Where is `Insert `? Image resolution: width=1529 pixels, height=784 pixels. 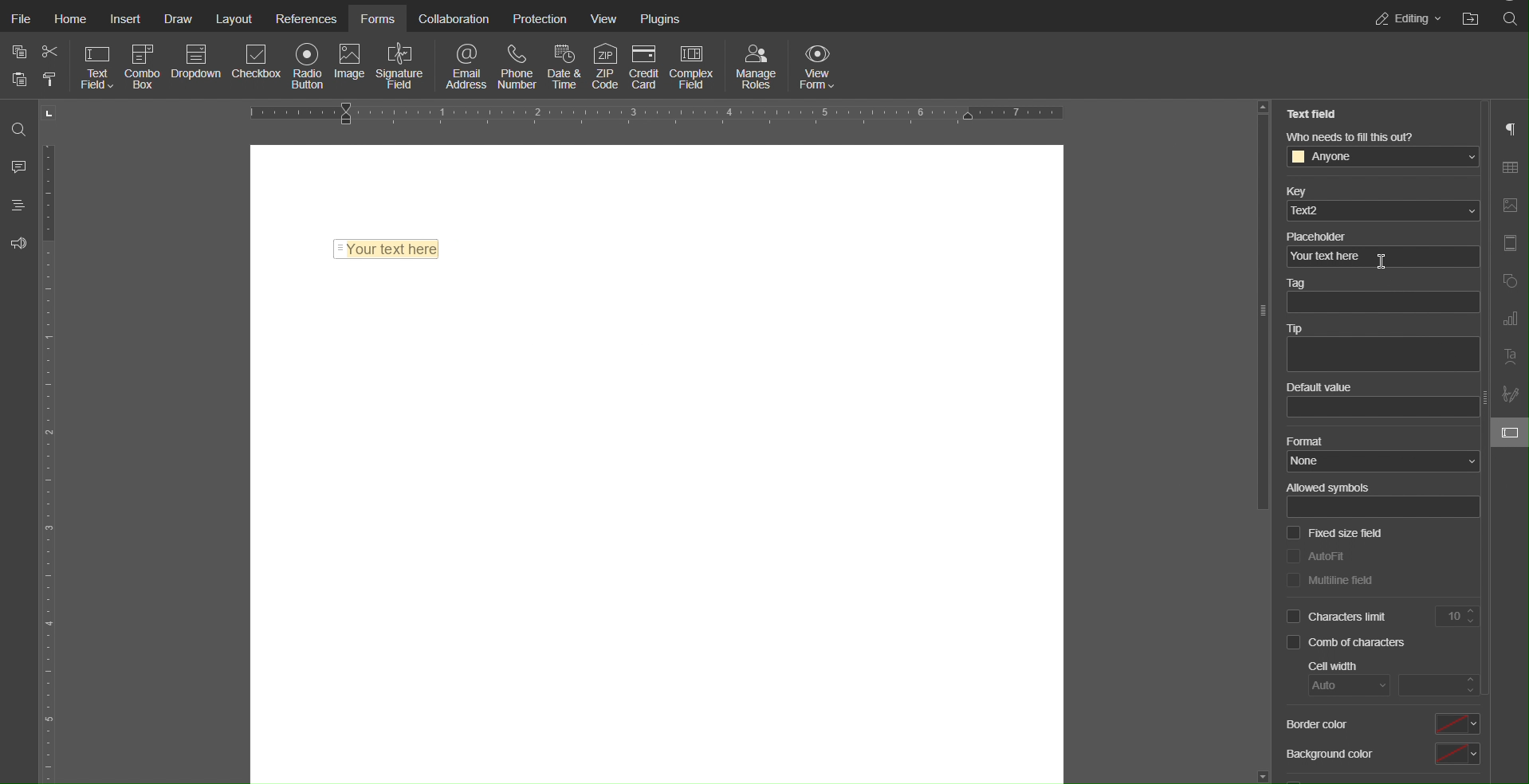
Insert  is located at coordinates (125, 20).